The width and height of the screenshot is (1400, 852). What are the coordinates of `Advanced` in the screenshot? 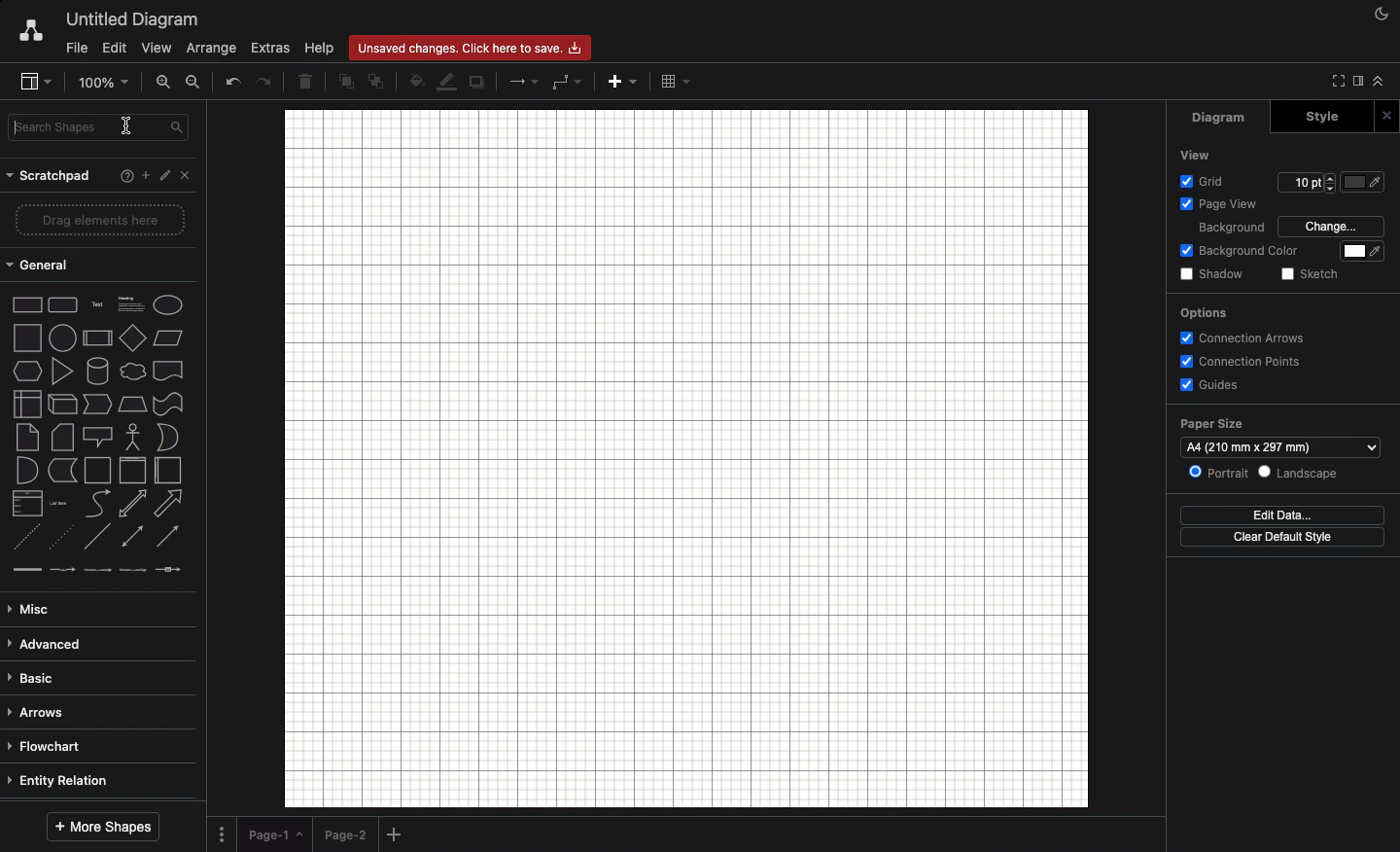 It's located at (48, 645).